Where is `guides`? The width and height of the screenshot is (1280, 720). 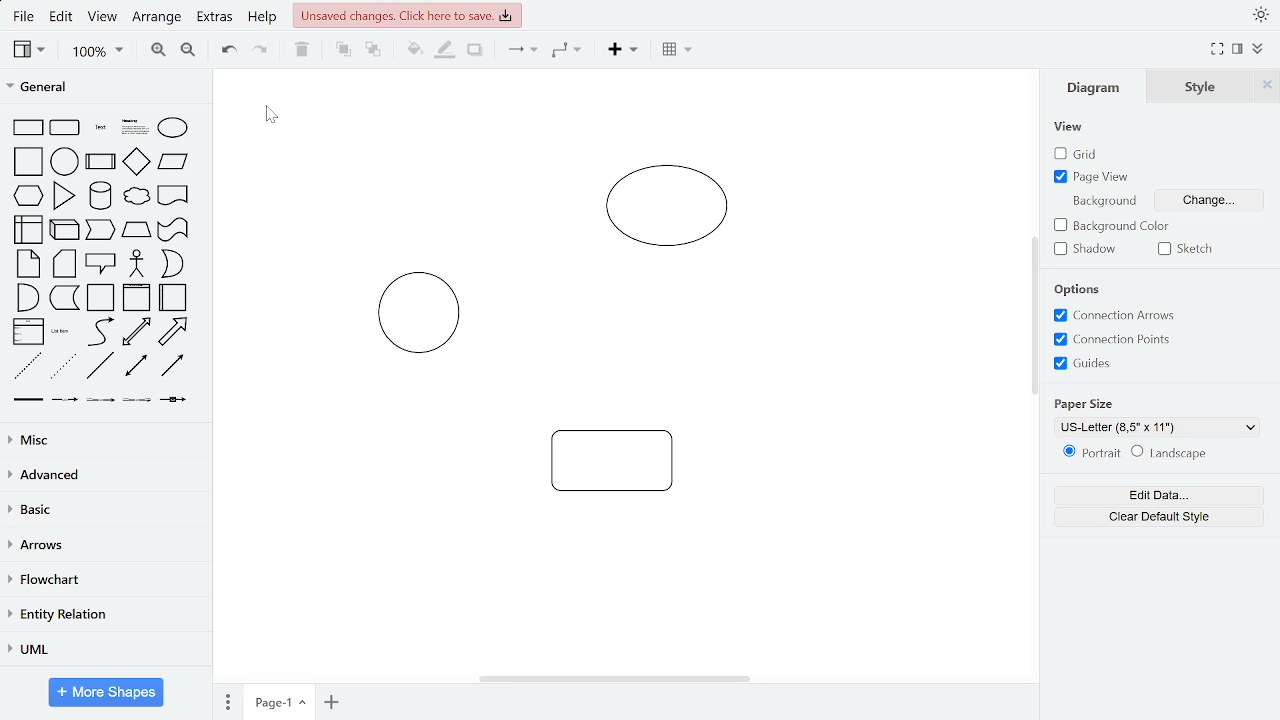
guides is located at coordinates (1082, 364).